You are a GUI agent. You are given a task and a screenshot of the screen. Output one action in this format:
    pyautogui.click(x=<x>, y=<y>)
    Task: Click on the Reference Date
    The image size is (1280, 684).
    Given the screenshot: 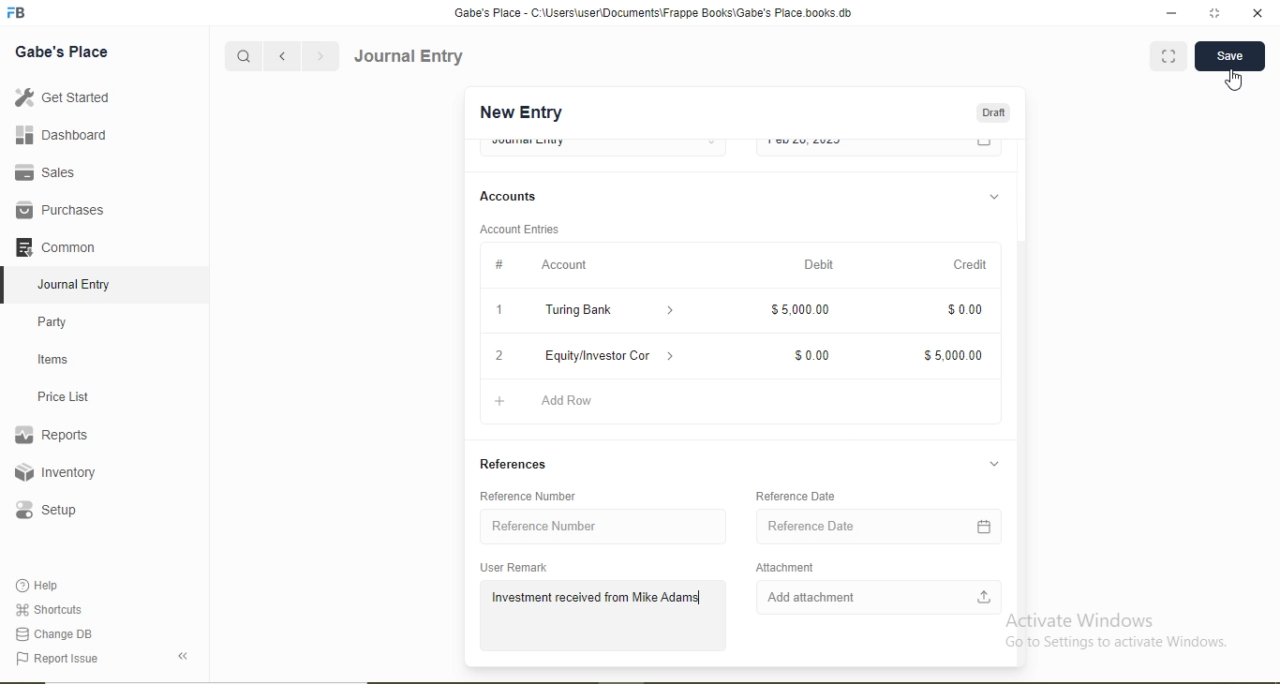 What is the action you would take?
    pyautogui.click(x=795, y=496)
    